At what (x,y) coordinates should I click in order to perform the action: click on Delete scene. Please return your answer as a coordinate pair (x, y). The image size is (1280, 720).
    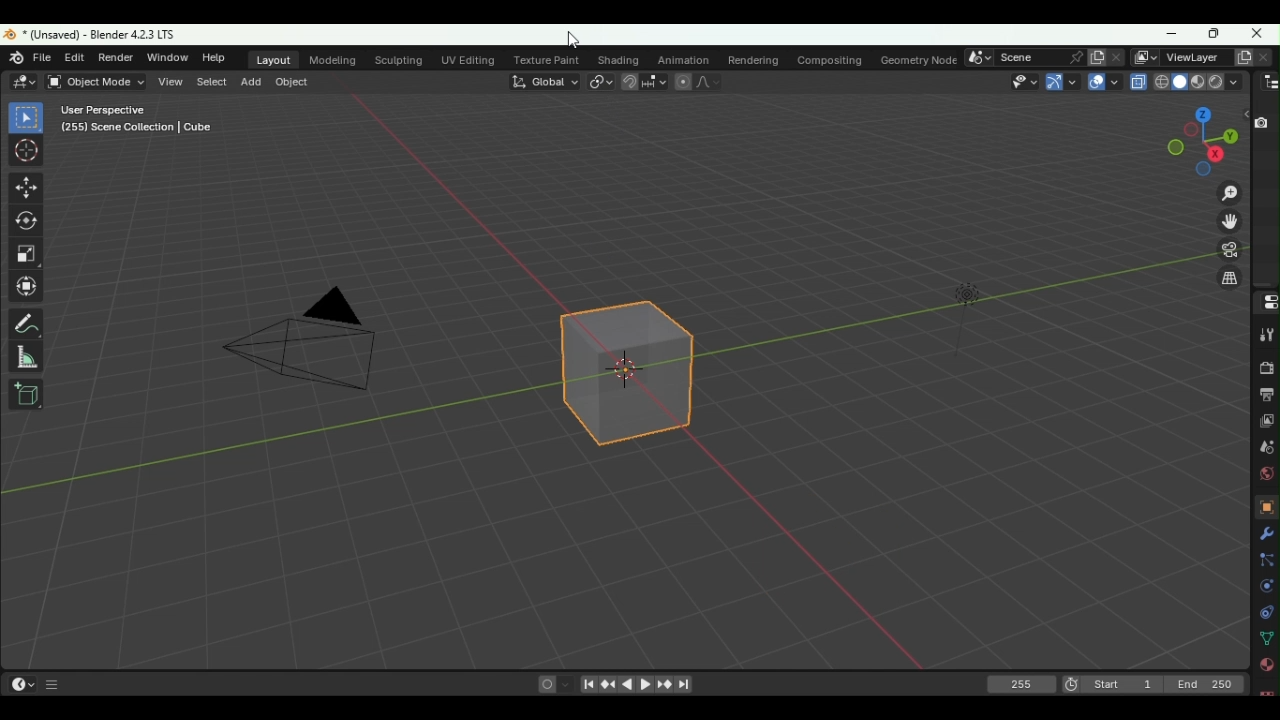
    Looking at the image, I should click on (1117, 58).